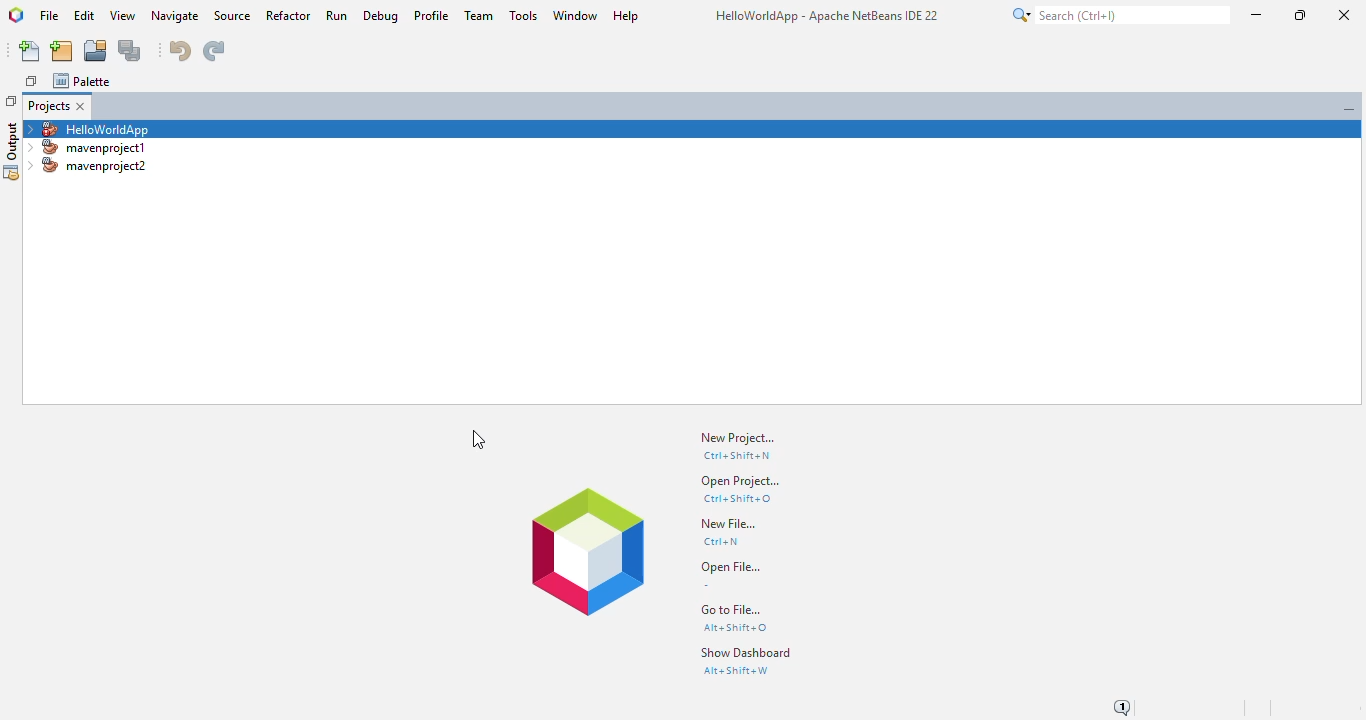 Image resolution: width=1366 pixels, height=720 pixels. Describe the element at coordinates (738, 438) in the screenshot. I see `new project` at that location.